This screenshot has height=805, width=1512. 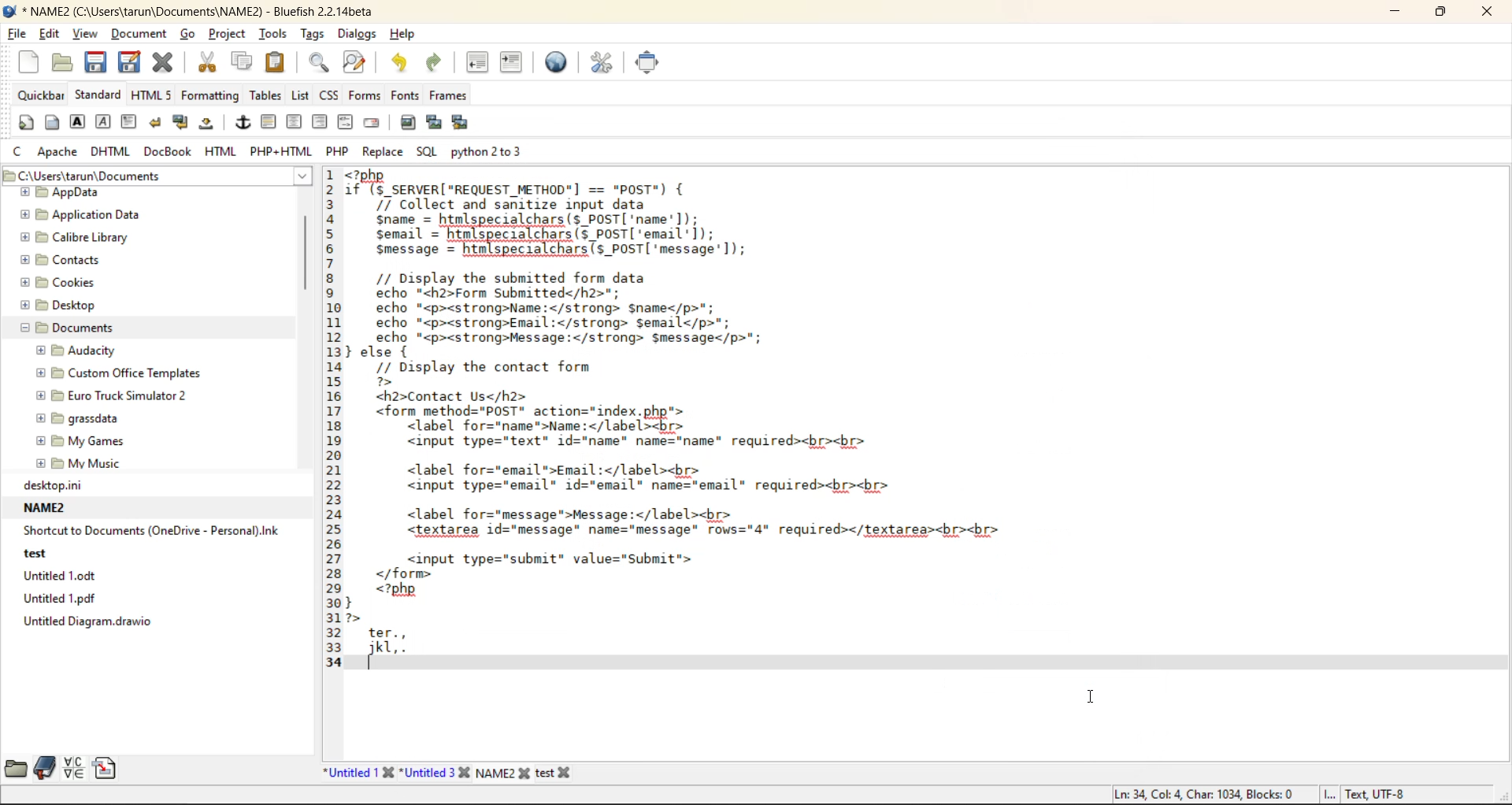 What do you see at coordinates (168, 152) in the screenshot?
I see `docbook` at bounding box center [168, 152].